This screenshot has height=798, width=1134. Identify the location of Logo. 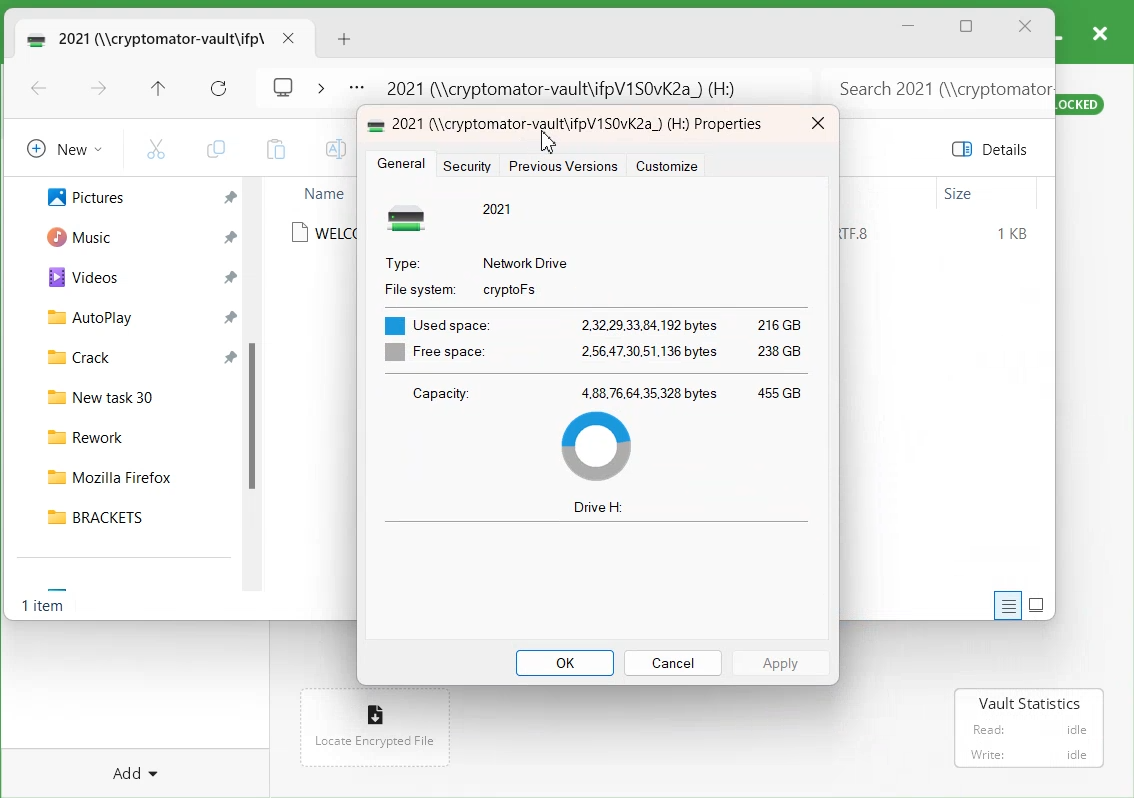
(284, 85).